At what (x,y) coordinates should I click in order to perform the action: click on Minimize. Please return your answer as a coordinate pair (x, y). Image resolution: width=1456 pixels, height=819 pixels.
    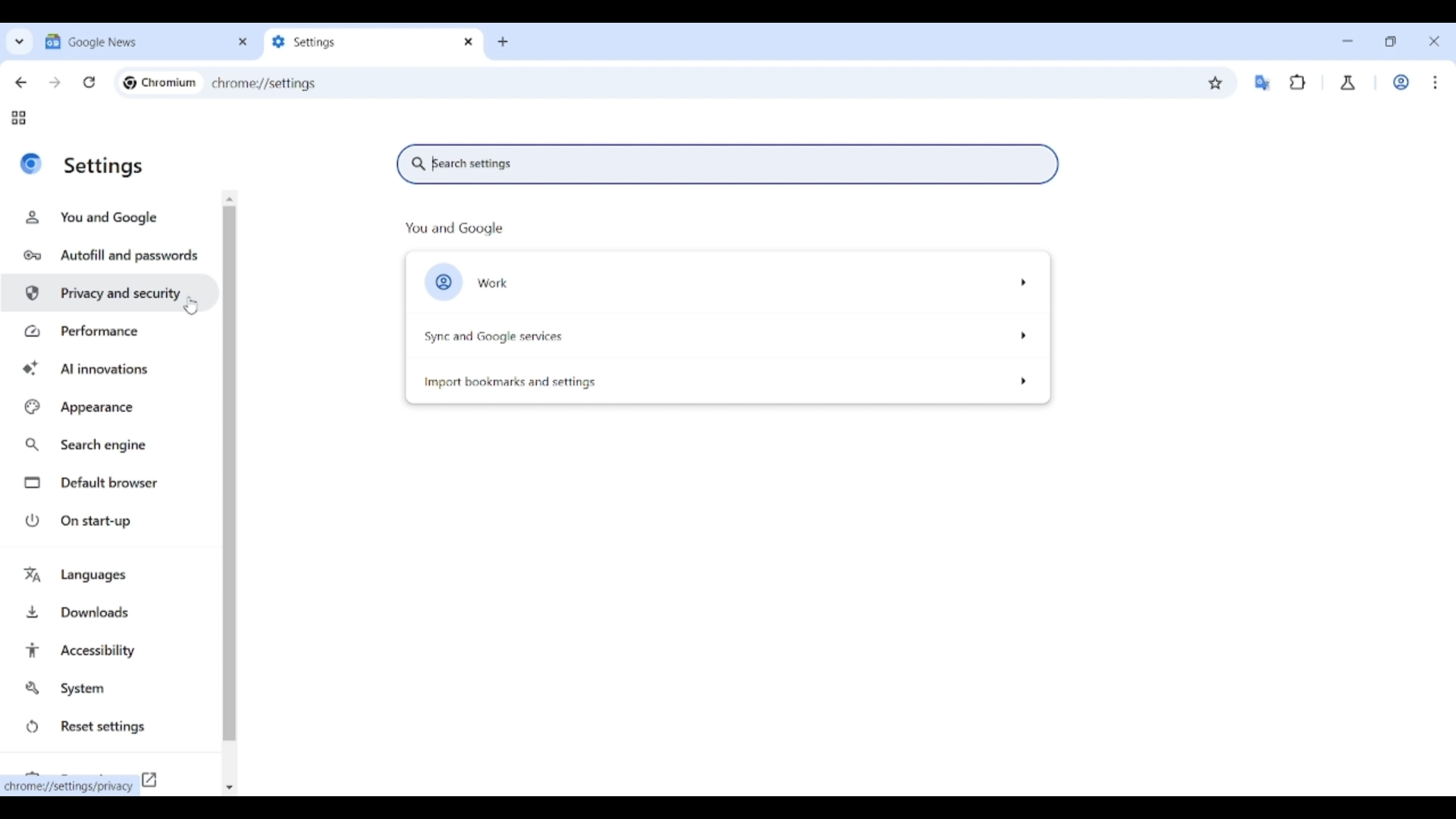
    Looking at the image, I should click on (1348, 41).